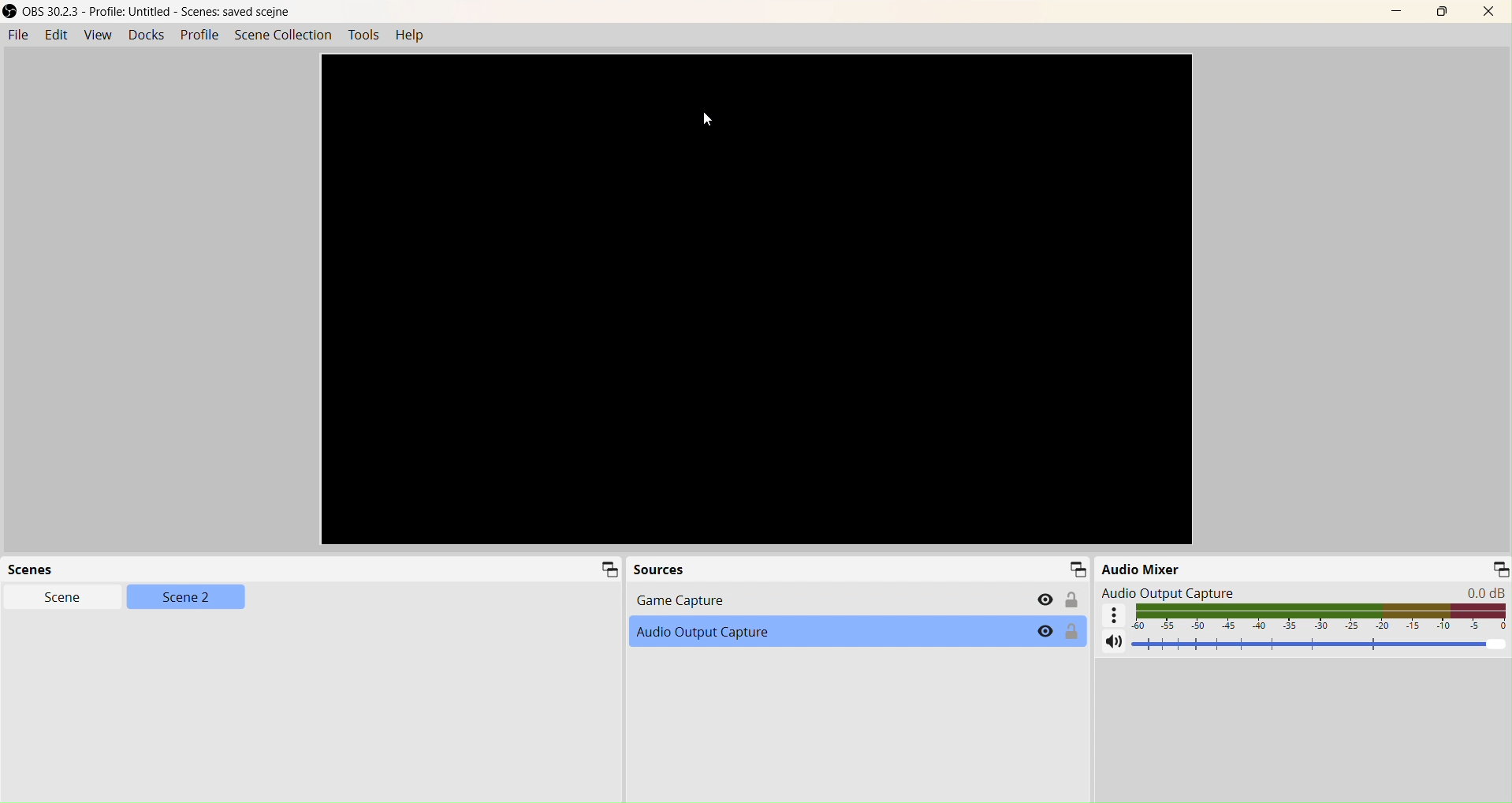 Image resolution: width=1512 pixels, height=803 pixels. I want to click on Docks, so click(146, 35).